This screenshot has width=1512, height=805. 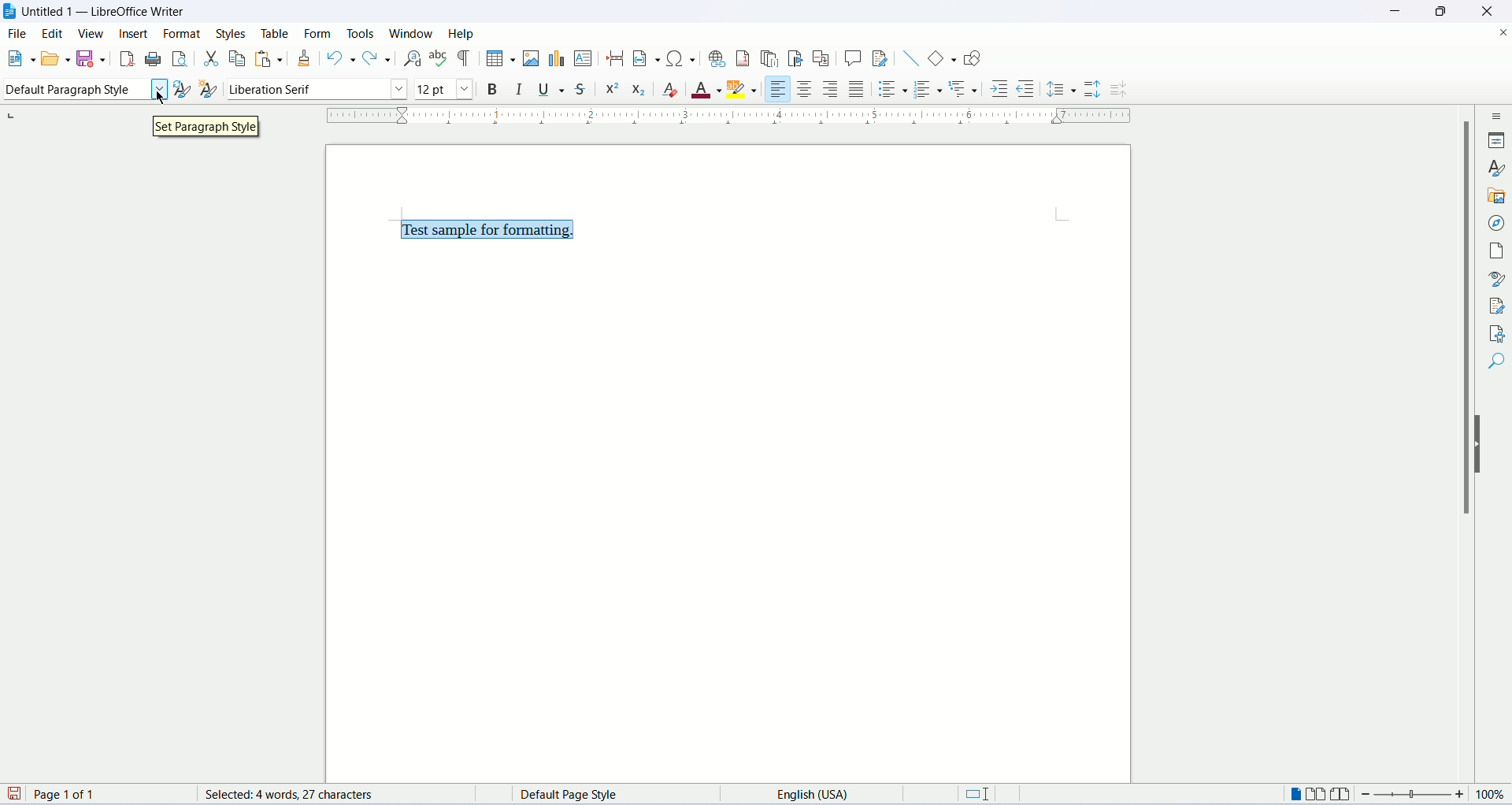 I want to click on form, so click(x=320, y=33).